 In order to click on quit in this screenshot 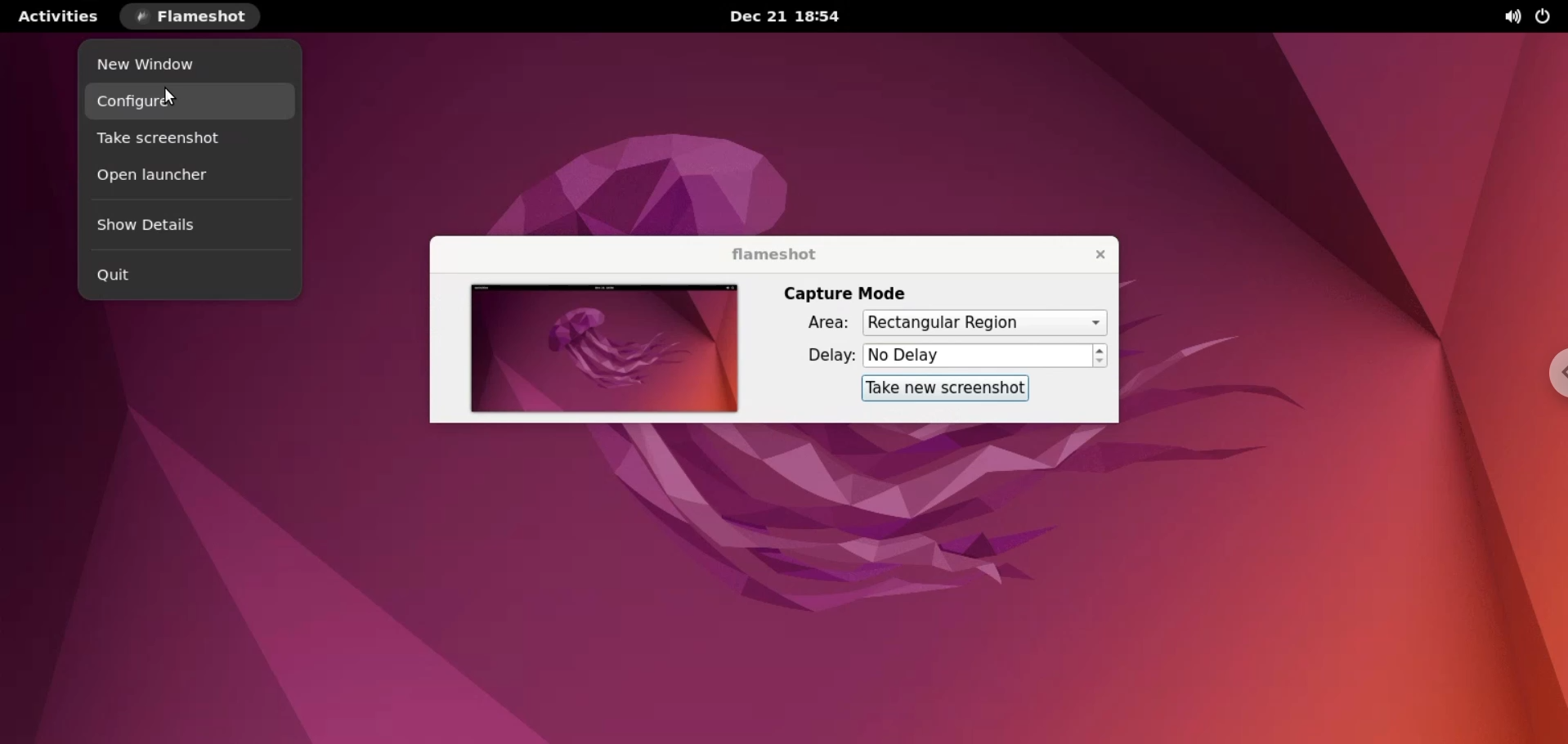, I will do `click(189, 271)`.